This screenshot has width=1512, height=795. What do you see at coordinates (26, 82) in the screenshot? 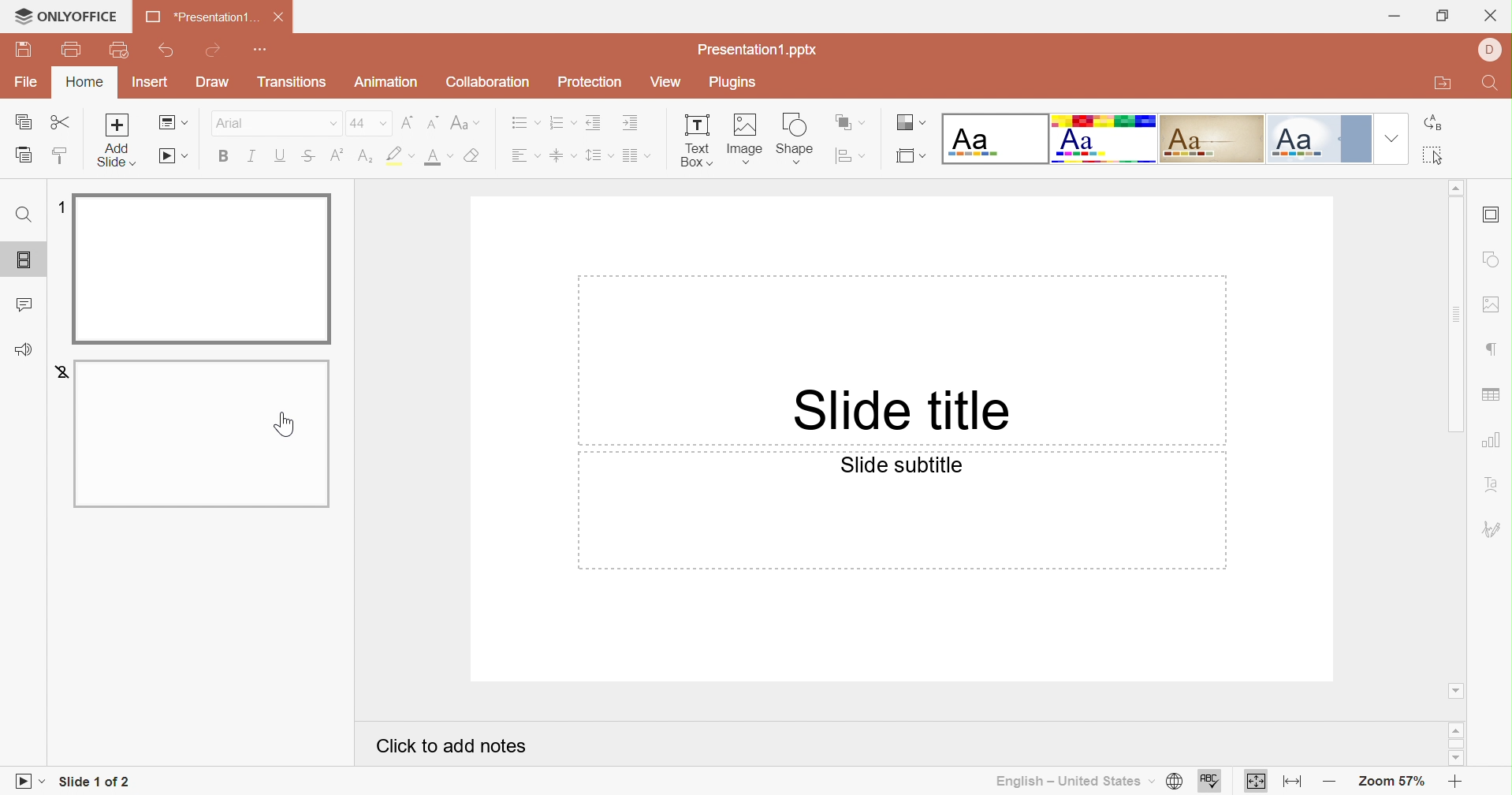
I see `File` at bounding box center [26, 82].